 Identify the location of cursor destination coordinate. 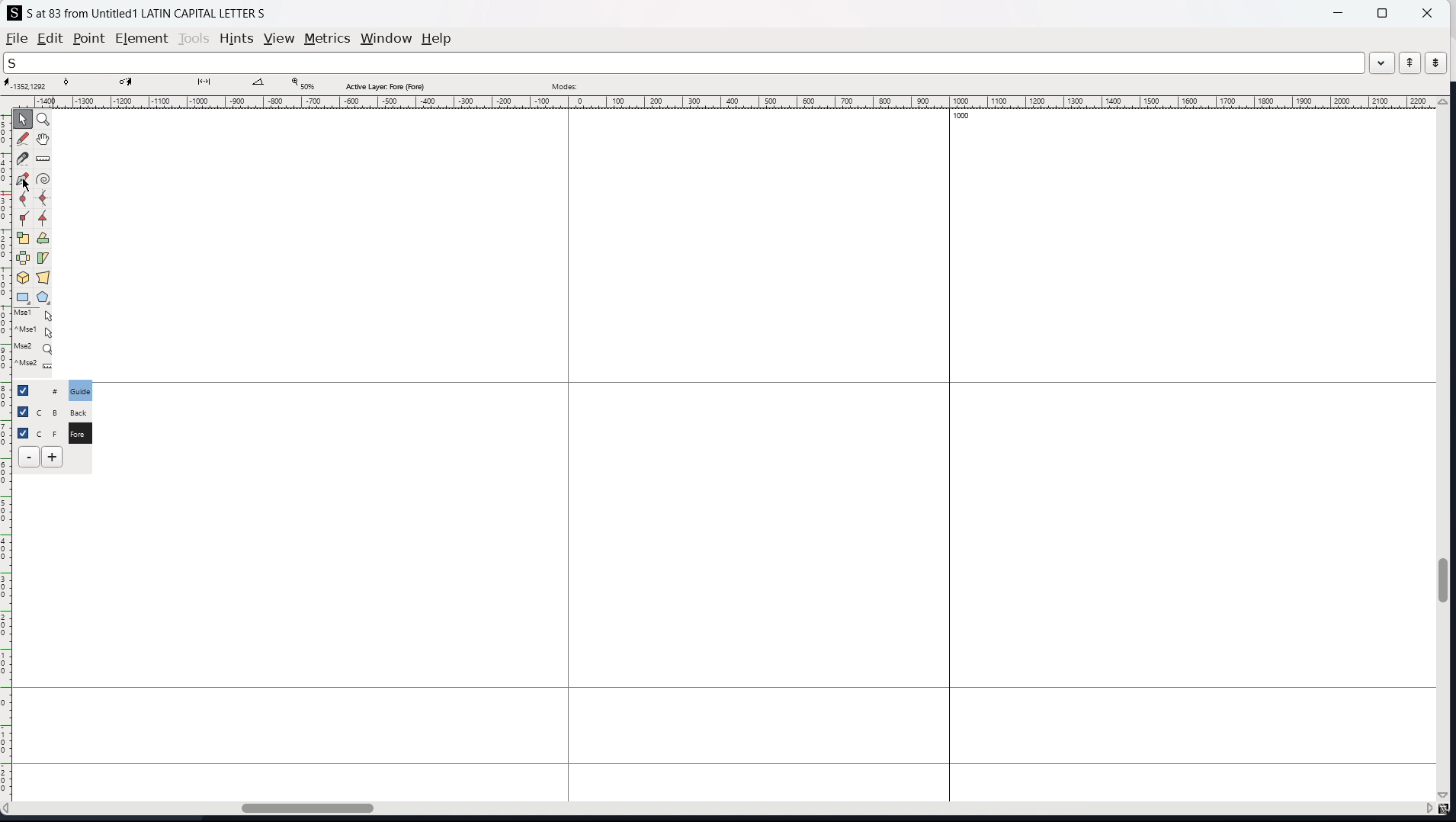
(128, 85).